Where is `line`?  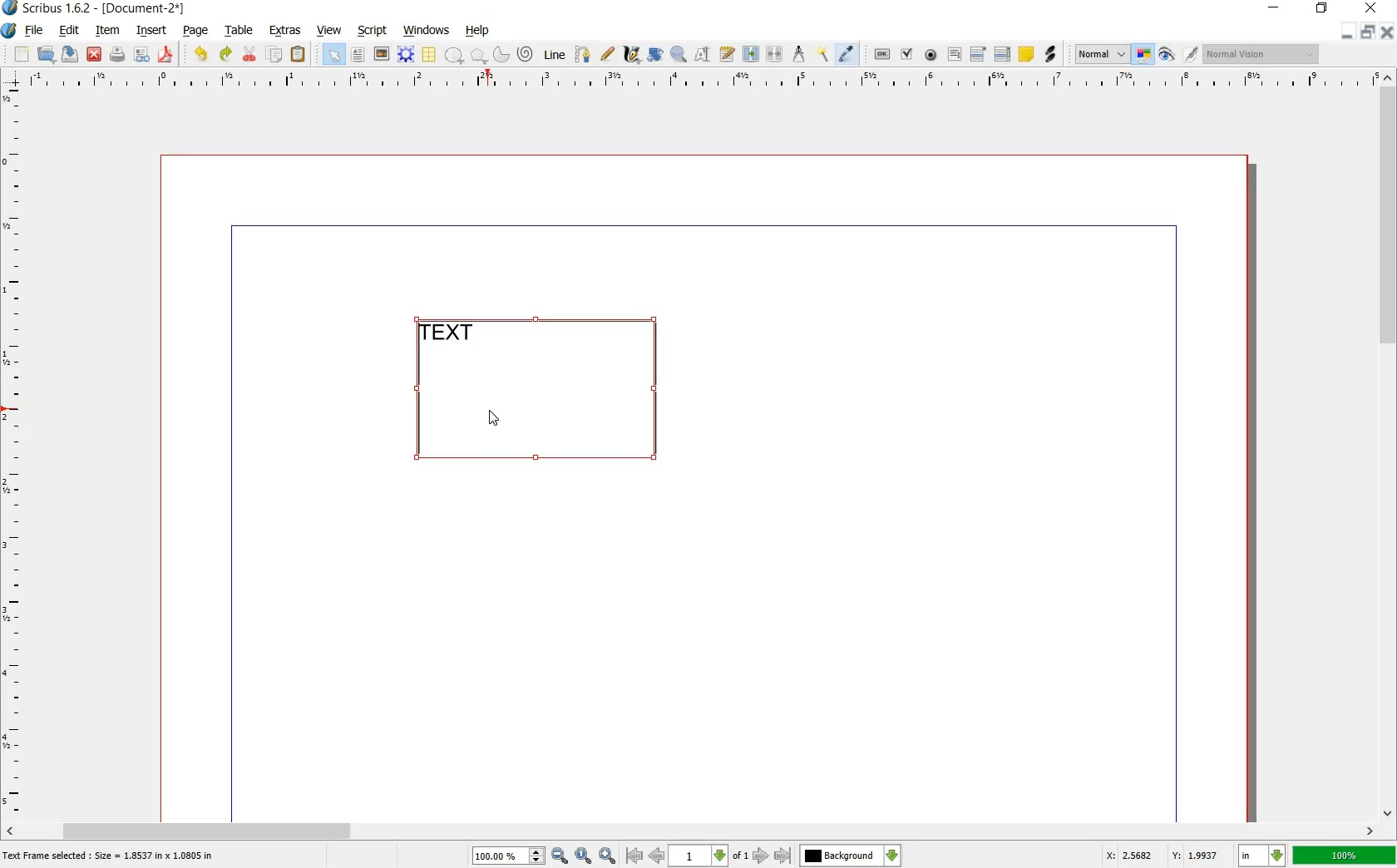 line is located at coordinates (556, 56).